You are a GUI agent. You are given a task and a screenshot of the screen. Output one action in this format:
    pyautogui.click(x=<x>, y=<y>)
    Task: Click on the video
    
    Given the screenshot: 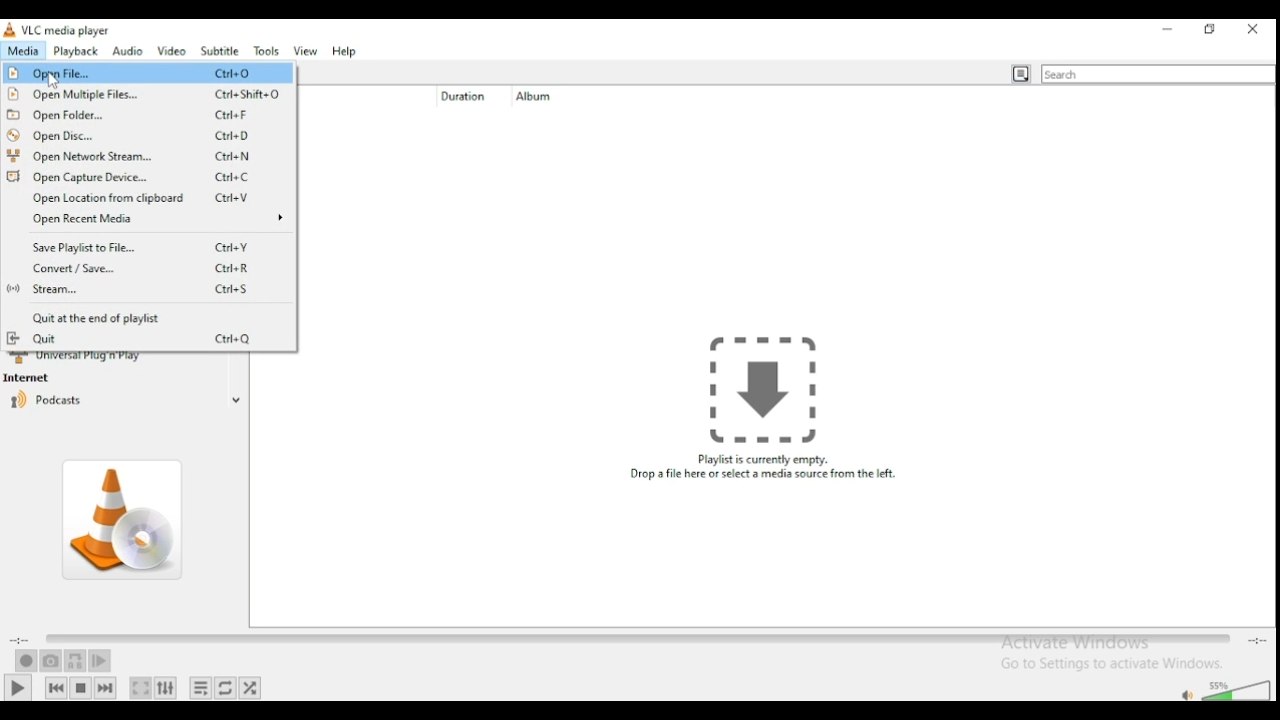 What is the action you would take?
    pyautogui.click(x=173, y=50)
    